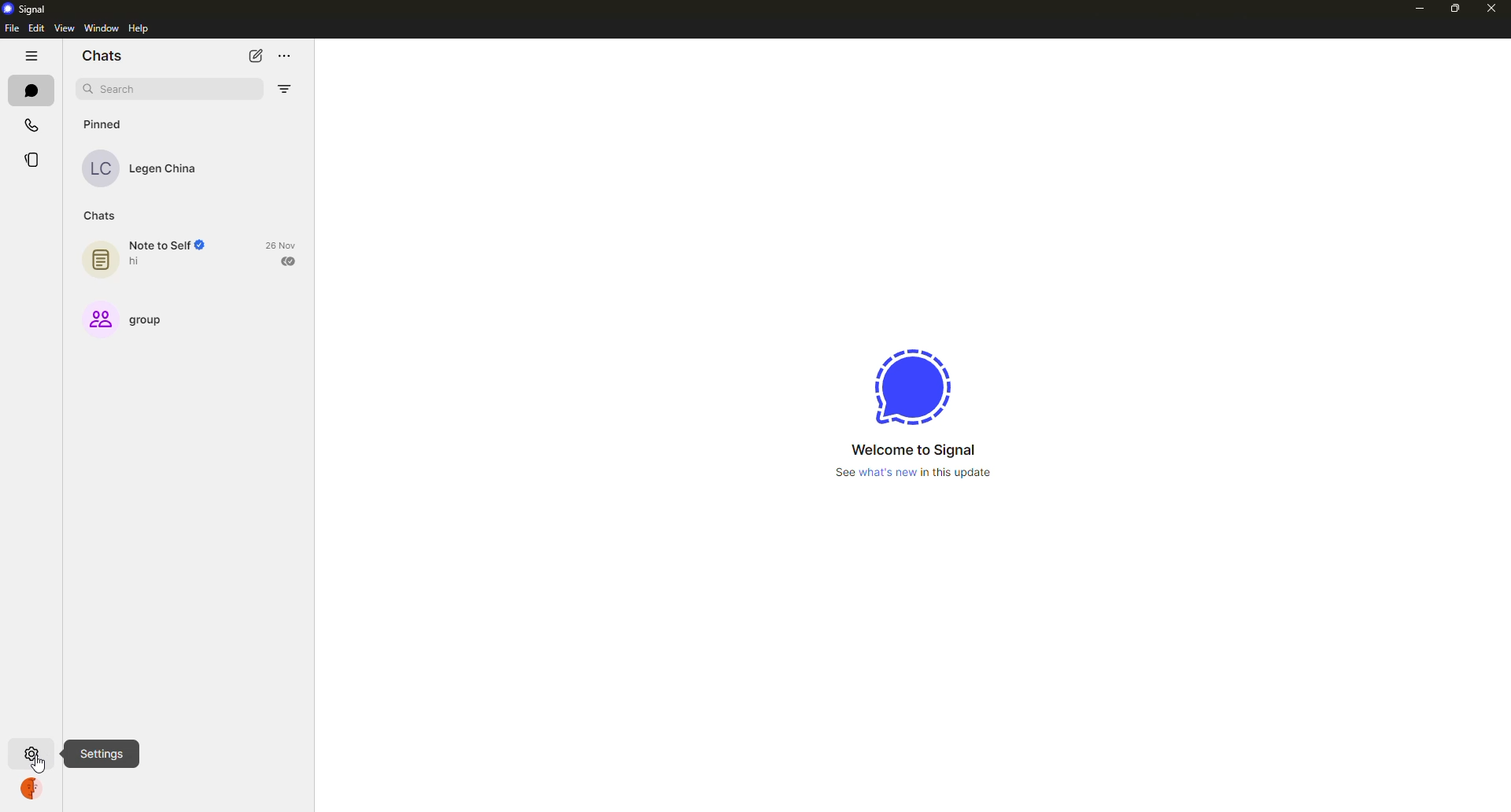 The height and width of the screenshot is (812, 1511). I want to click on 26 Nov, so click(281, 243).